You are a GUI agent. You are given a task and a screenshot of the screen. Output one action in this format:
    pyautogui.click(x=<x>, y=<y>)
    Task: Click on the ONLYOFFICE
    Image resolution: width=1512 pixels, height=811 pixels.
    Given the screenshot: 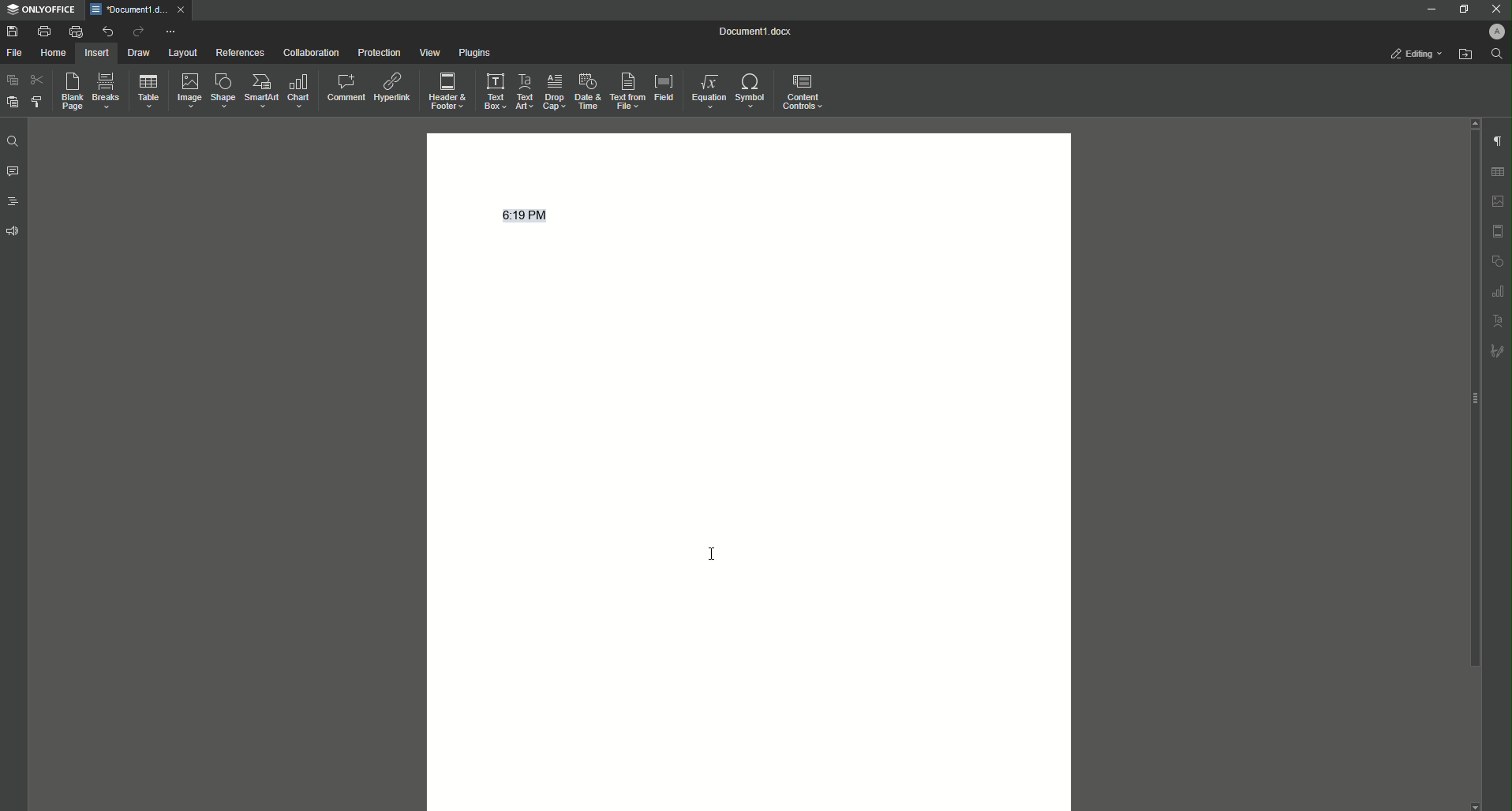 What is the action you would take?
    pyautogui.click(x=40, y=10)
    